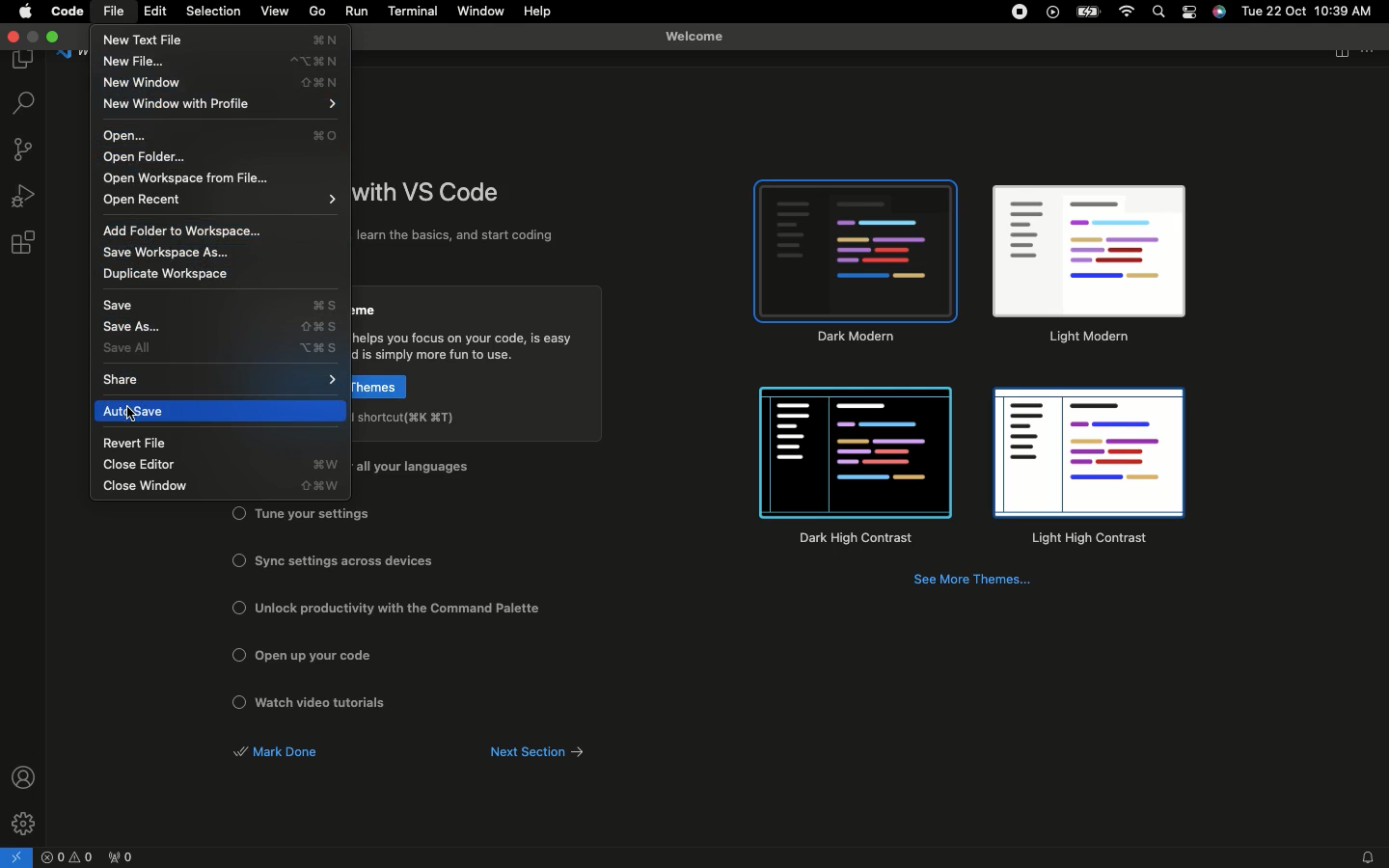 The height and width of the screenshot is (868, 1389). What do you see at coordinates (858, 261) in the screenshot?
I see `Dark modem` at bounding box center [858, 261].